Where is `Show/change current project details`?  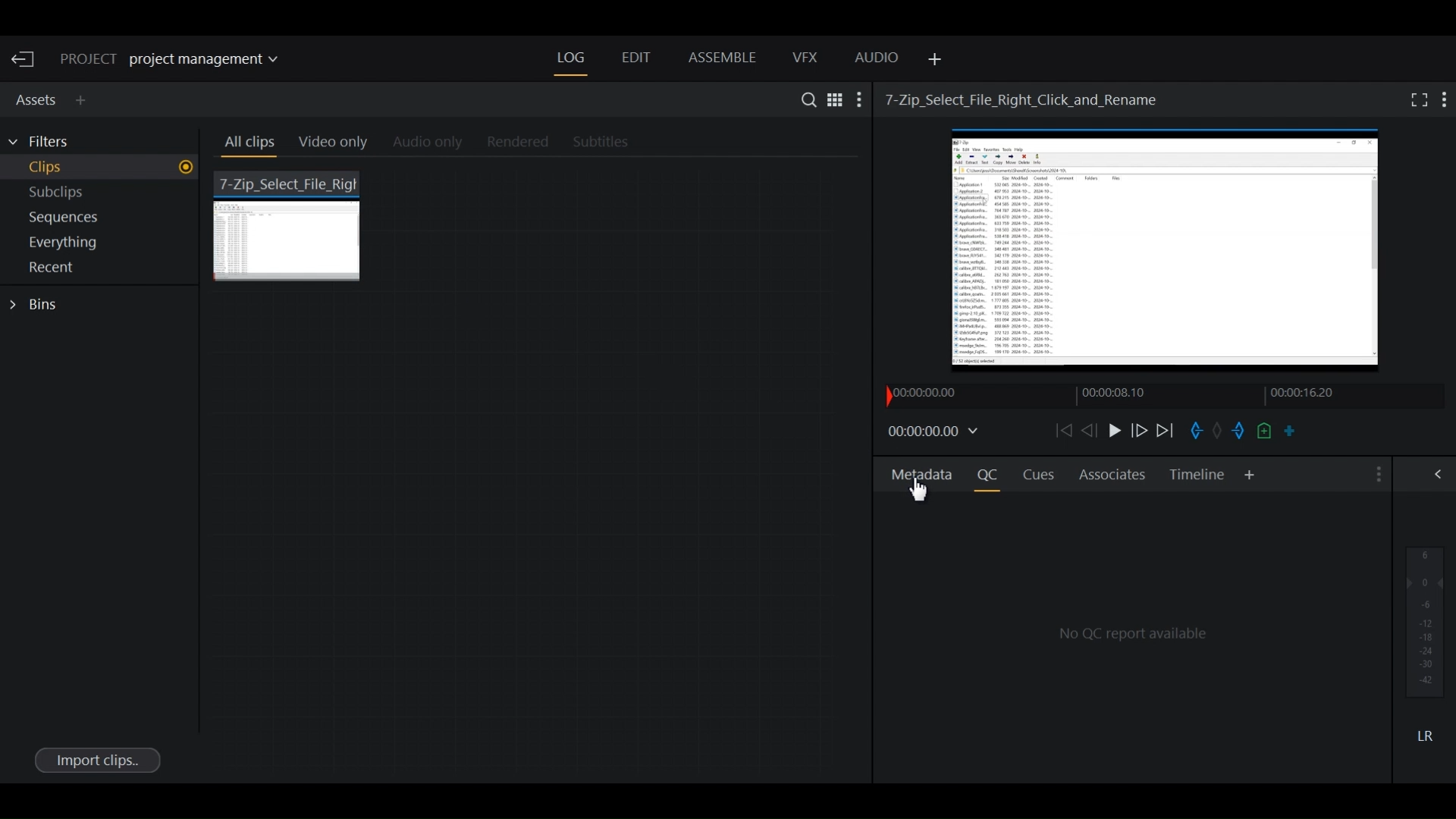
Show/change current project details is located at coordinates (180, 60).